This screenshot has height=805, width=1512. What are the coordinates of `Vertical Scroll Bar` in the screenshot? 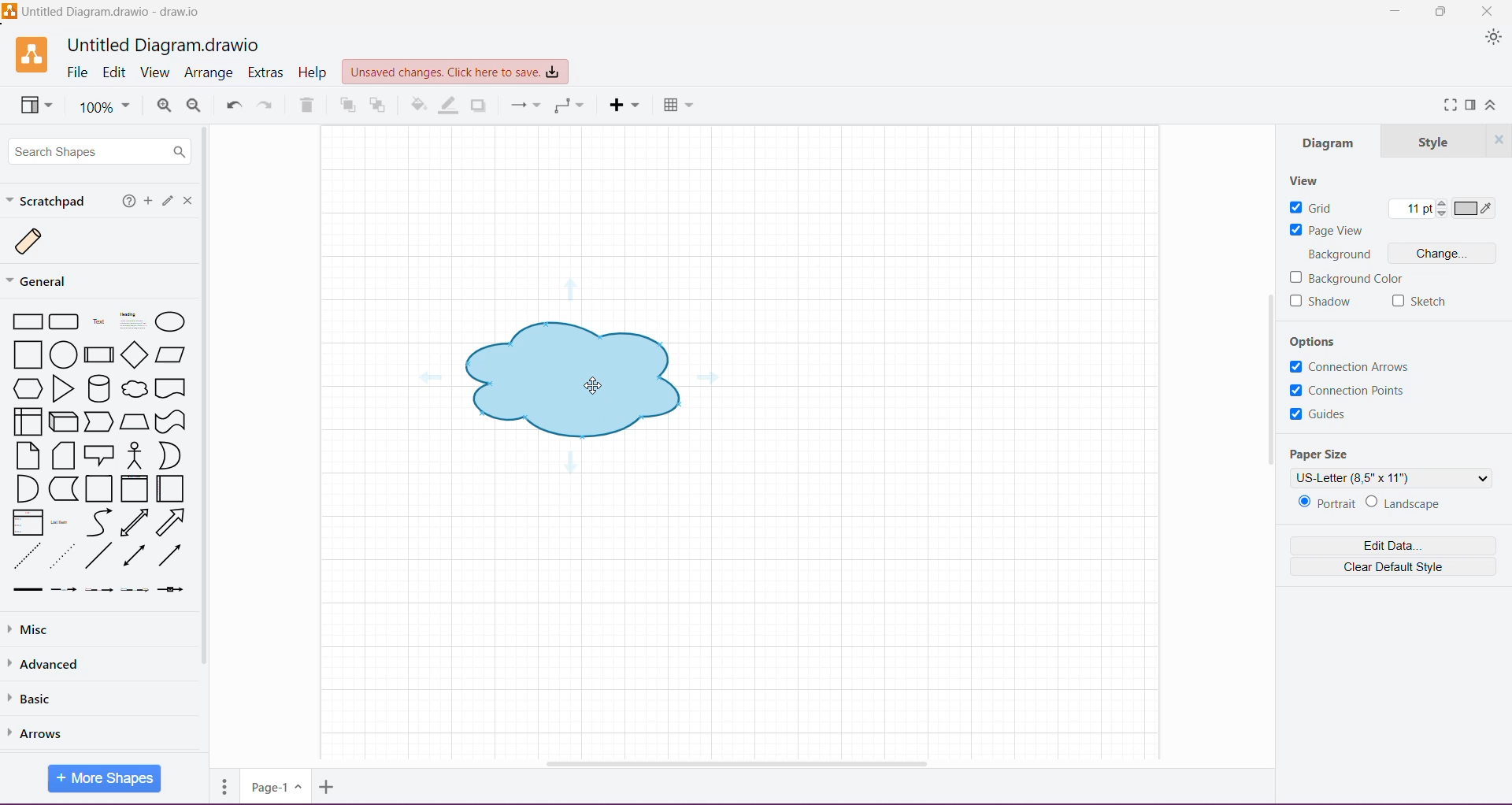 It's located at (1260, 388).